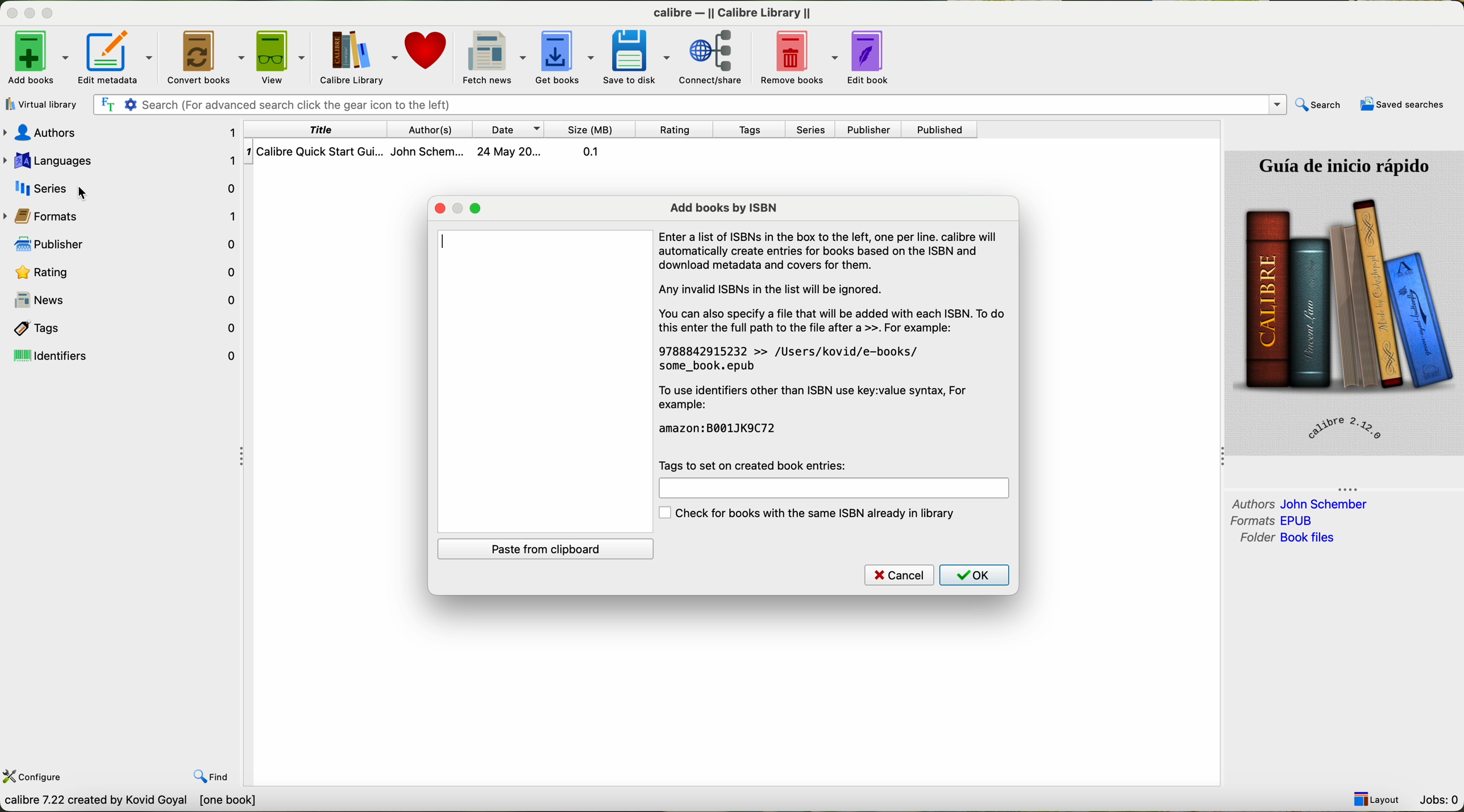 Image resolution: width=1464 pixels, height=812 pixels. Describe the element at coordinates (795, 57) in the screenshot. I see `remove books` at that location.